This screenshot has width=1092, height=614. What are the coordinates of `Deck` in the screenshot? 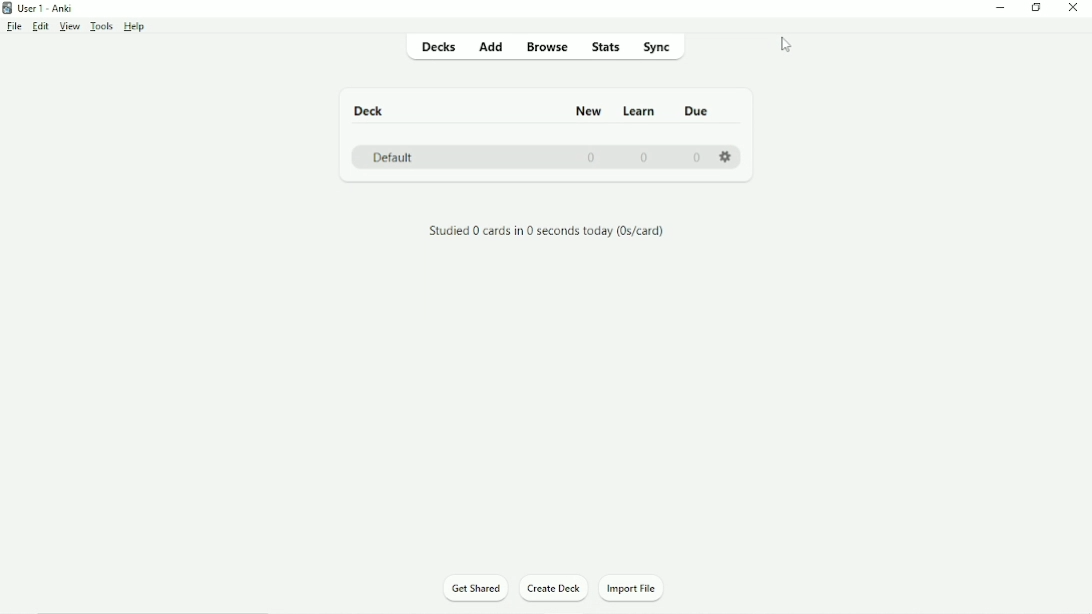 It's located at (372, 110).